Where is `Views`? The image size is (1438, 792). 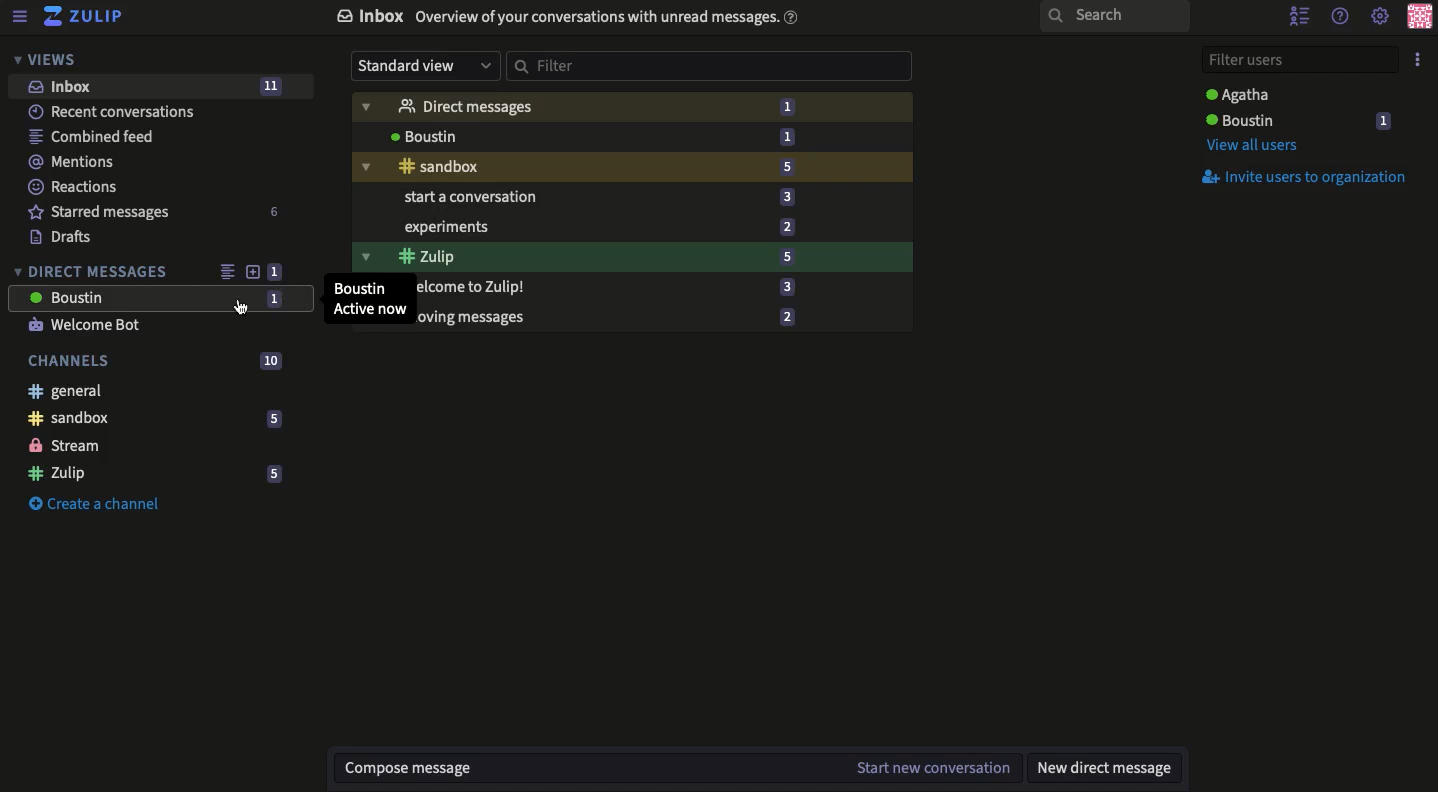 Views is located at coordinates (48, 58).